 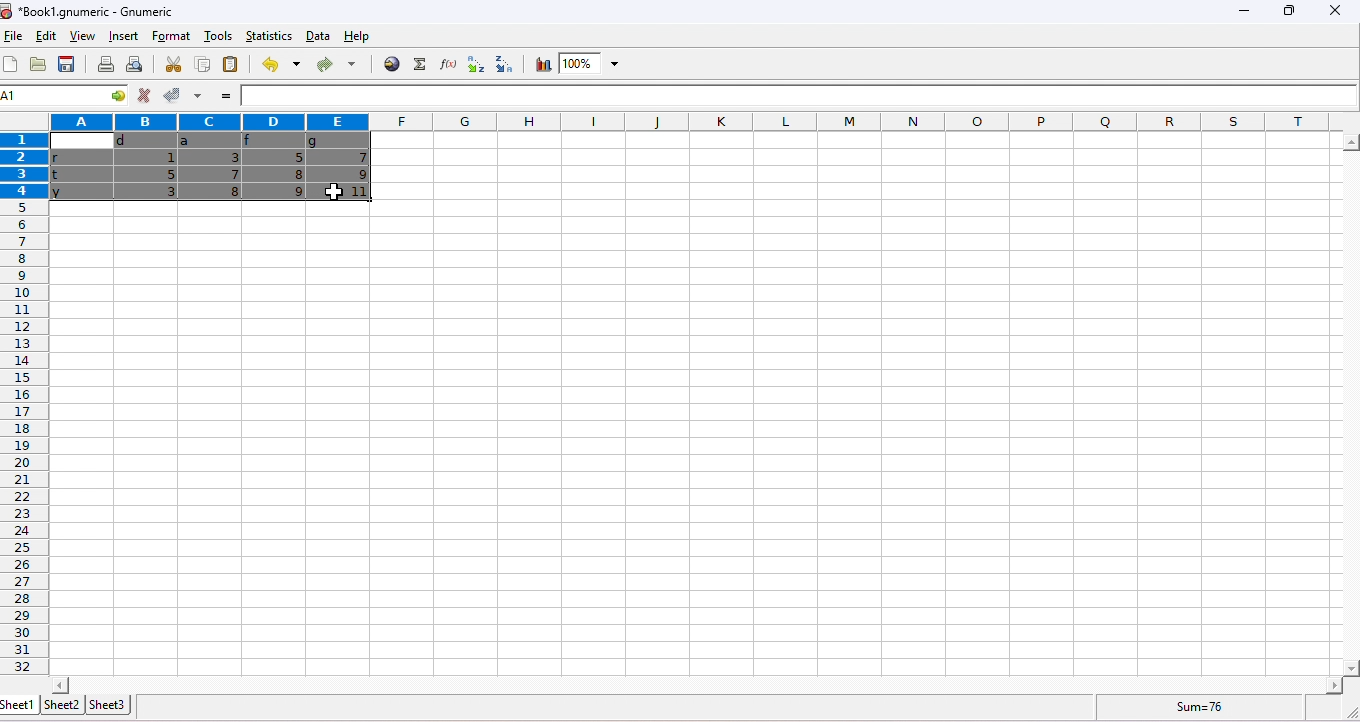 What do you see at coordinates (90, 11) in the screenshot?
I see `title` at bounding box center [90, 11].